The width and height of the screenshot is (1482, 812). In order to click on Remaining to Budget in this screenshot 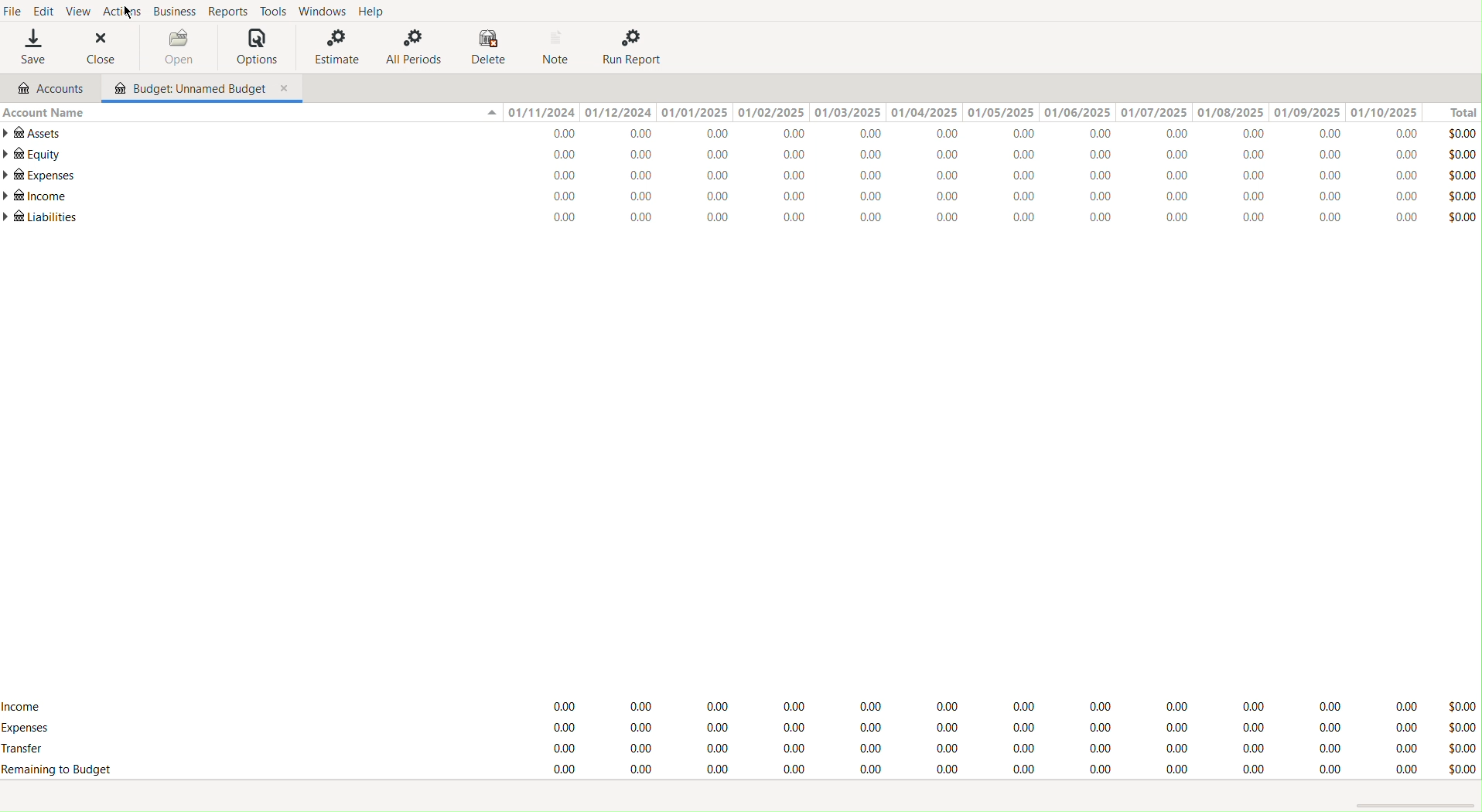, I will do `click(984, 770)`.